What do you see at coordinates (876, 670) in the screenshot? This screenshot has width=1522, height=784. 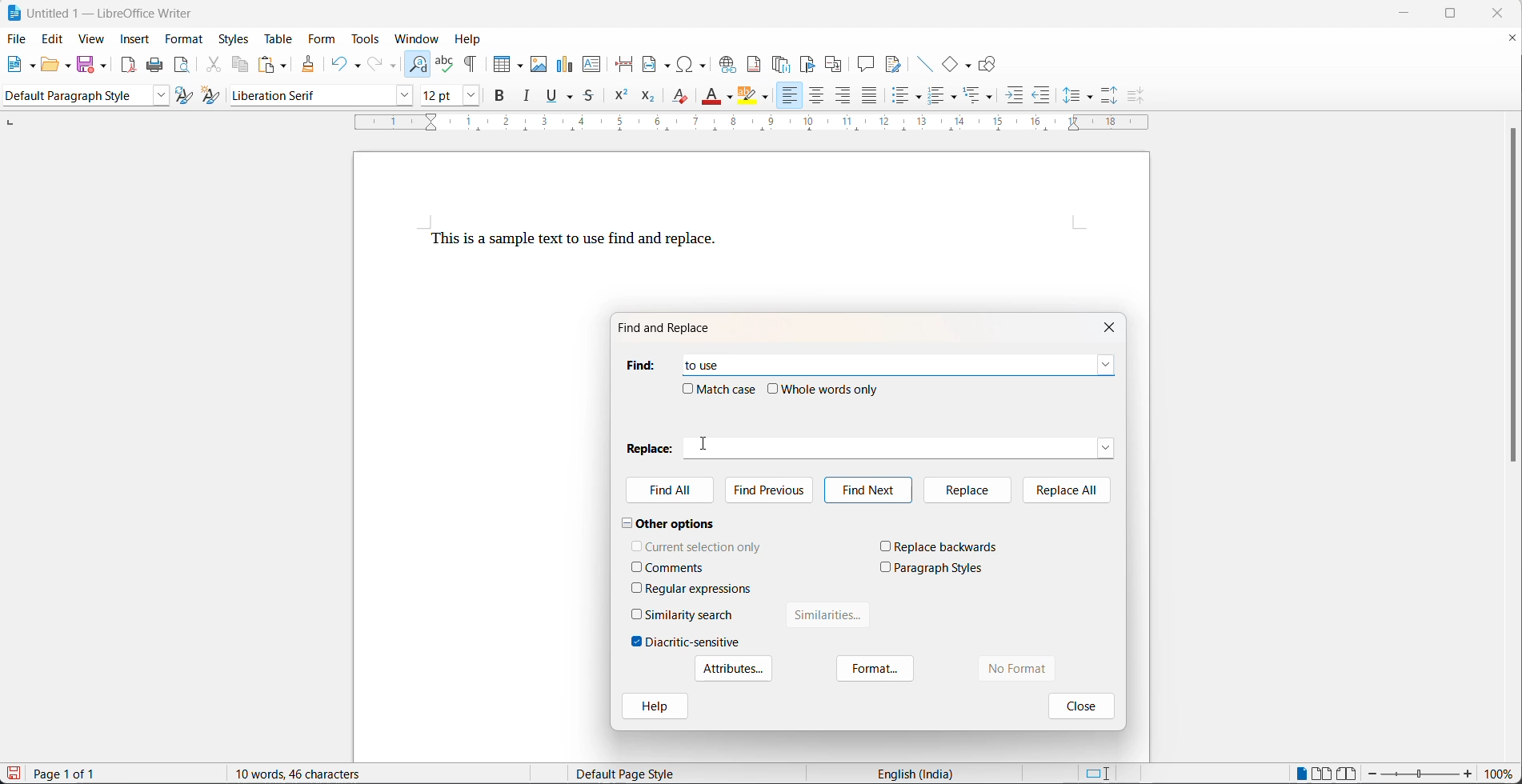 I see `format` at bounding box center [876, 670].